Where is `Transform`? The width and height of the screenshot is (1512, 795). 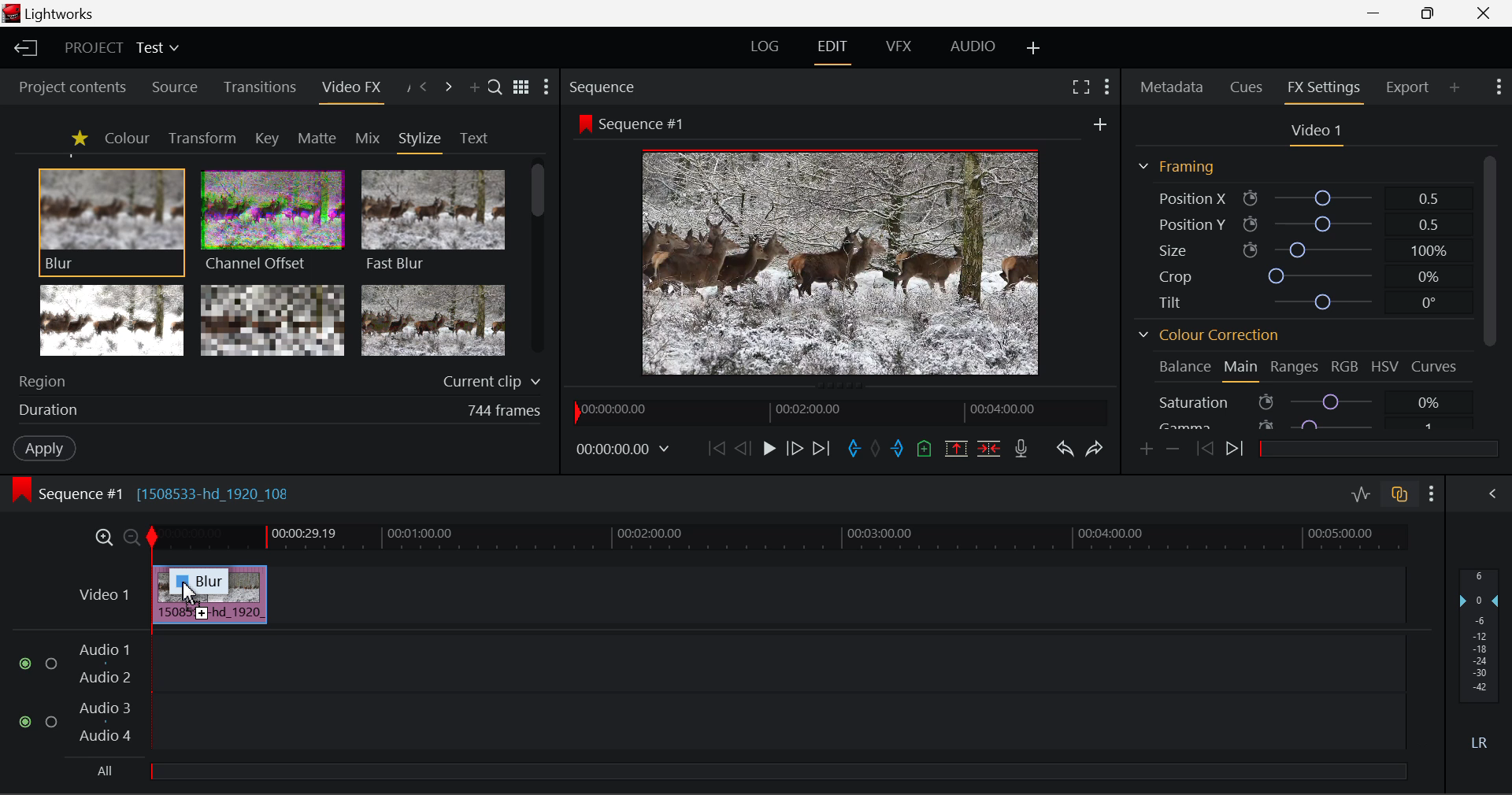
Transform is located at coordinates (202, 138).